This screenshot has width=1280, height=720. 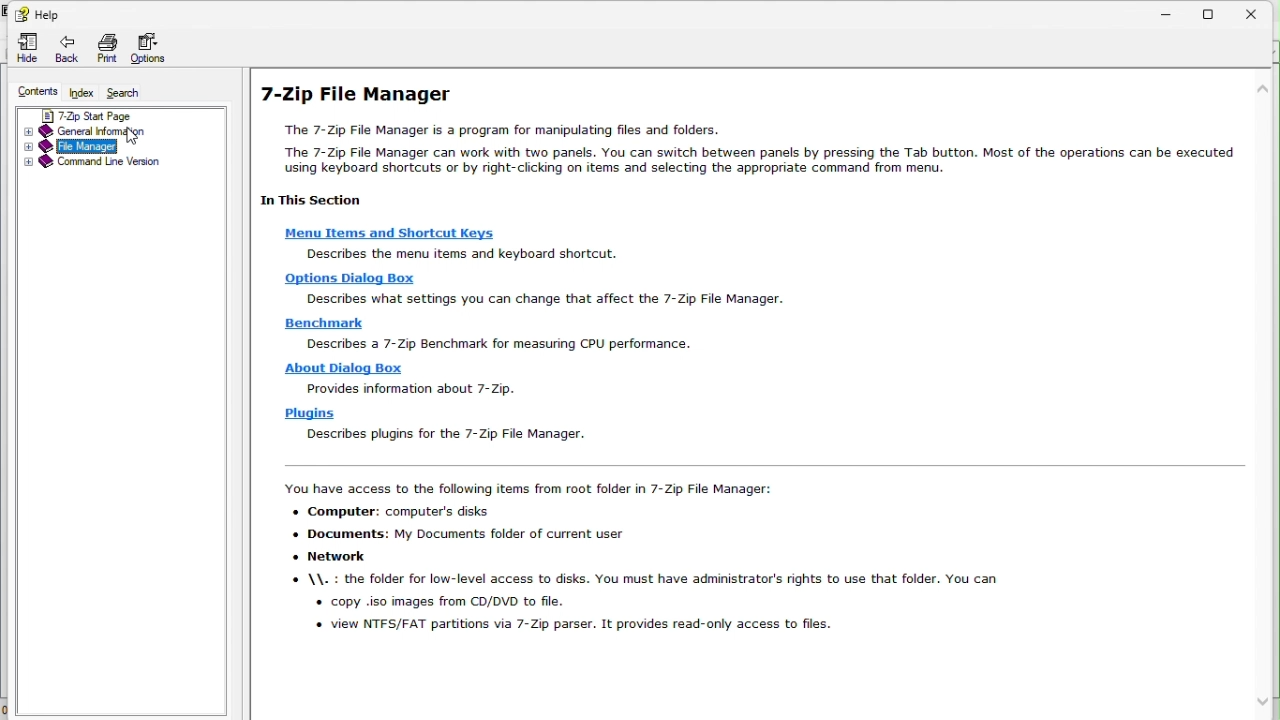 What do you see at coordinates (396, 233) in the screenshot?
I see `Menu items and shortcut keys` at bounding box center [396, 233].